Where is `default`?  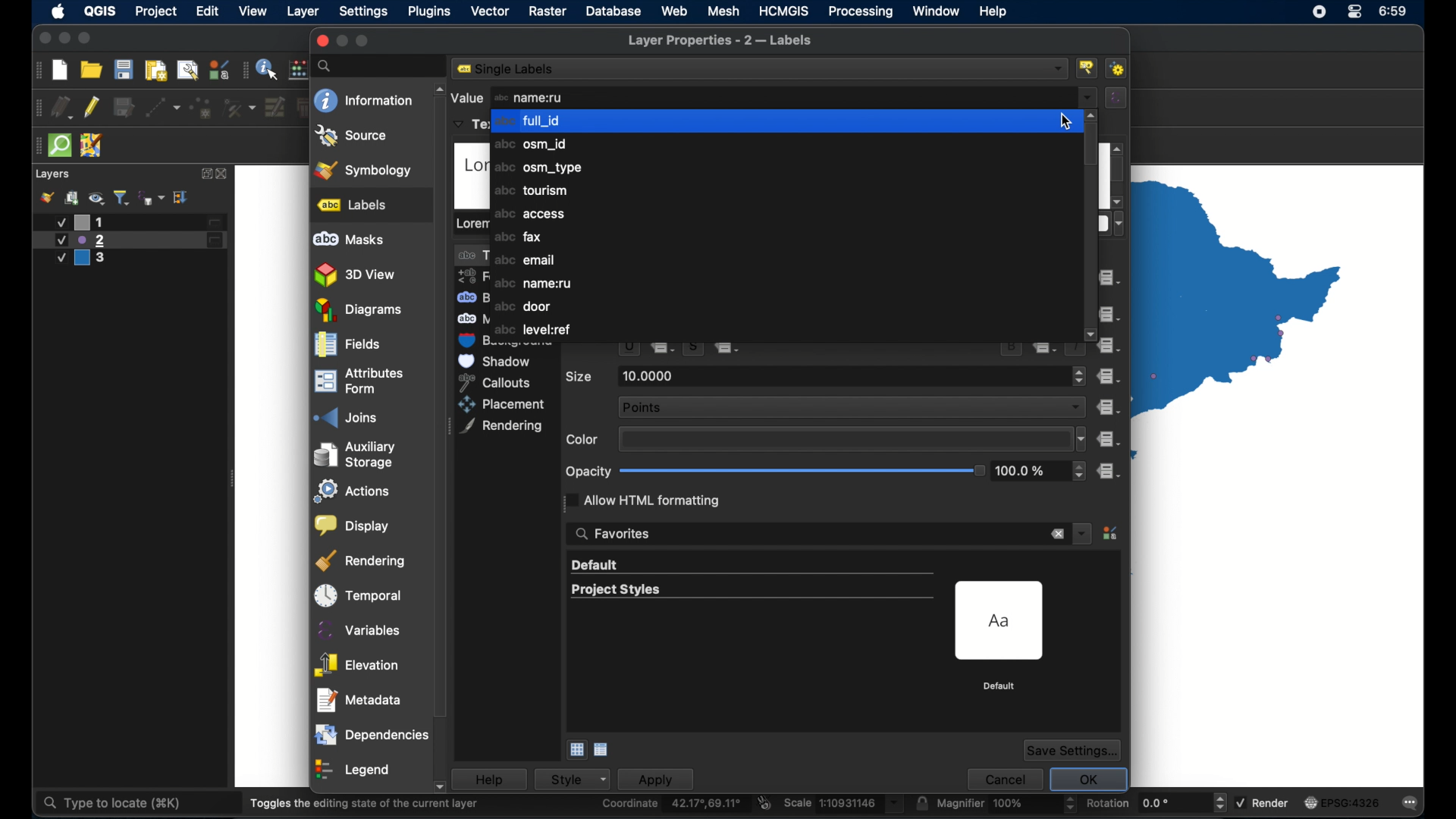 default is located at coordinates (596, 566).